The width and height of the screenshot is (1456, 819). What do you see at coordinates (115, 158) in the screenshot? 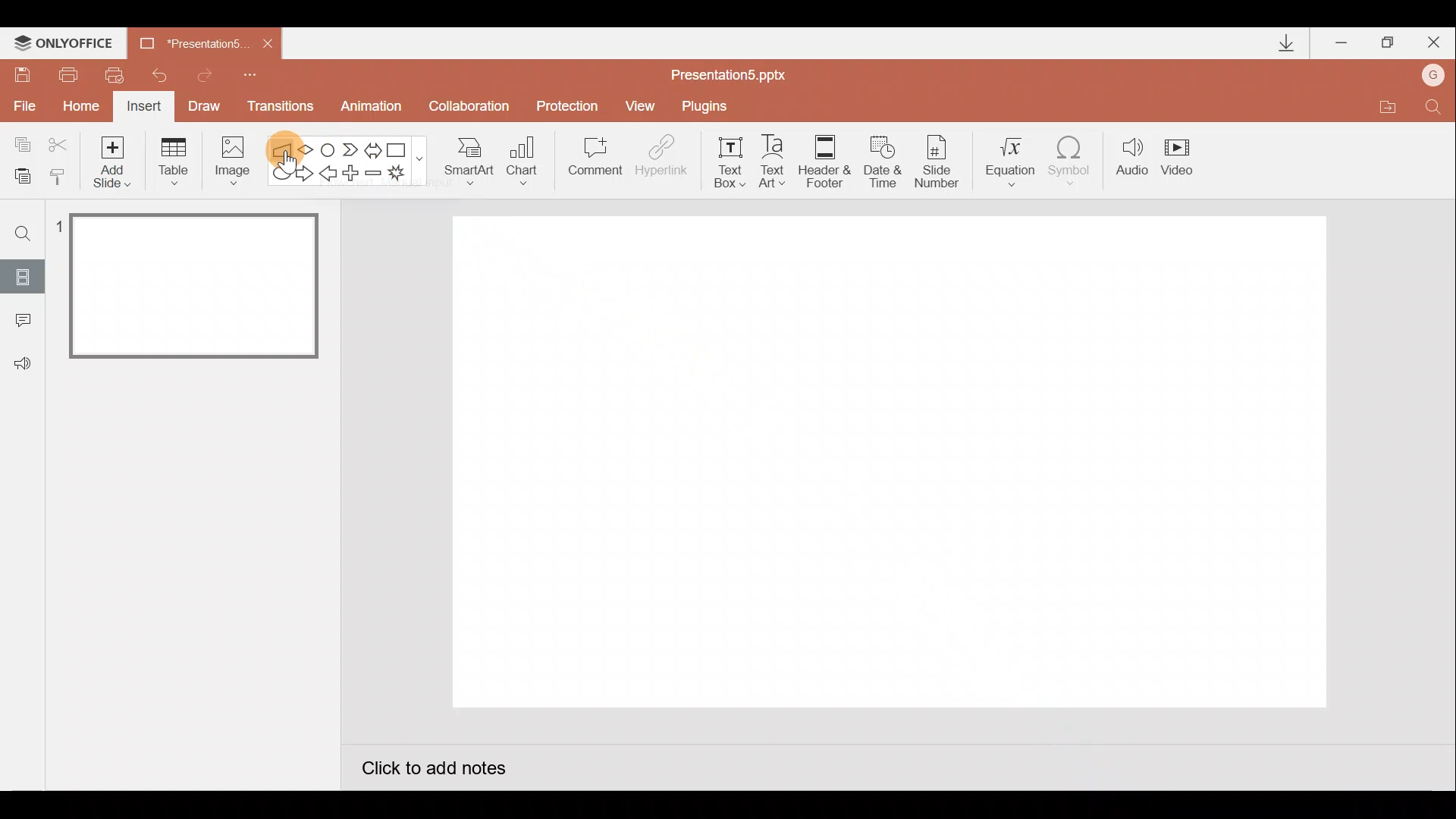
I see `Add slide` at bounding box center [115, 158].